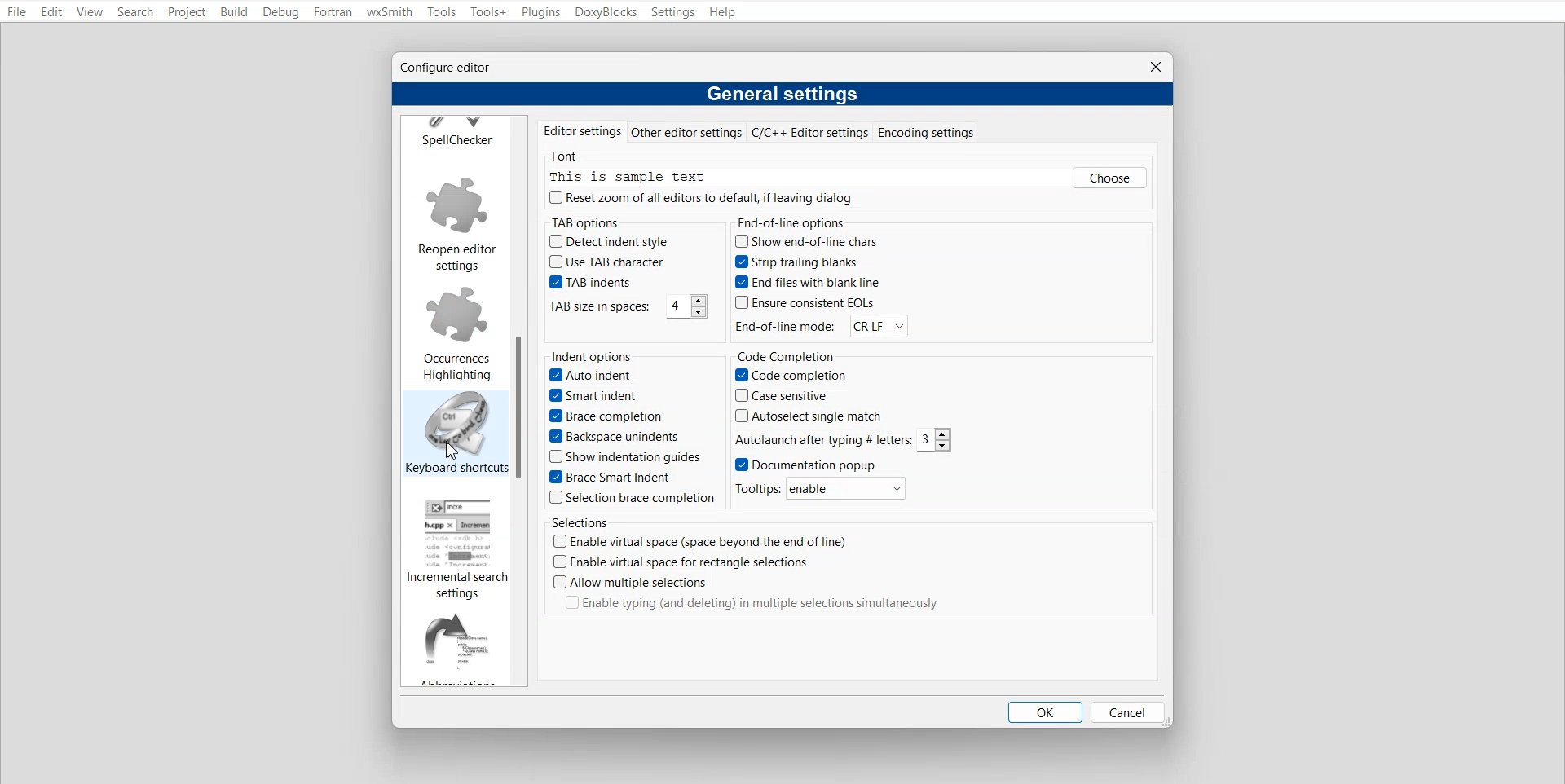 The image size is (1565, 784). I want to click on Occurrences Highlighting, so click(456, 331).